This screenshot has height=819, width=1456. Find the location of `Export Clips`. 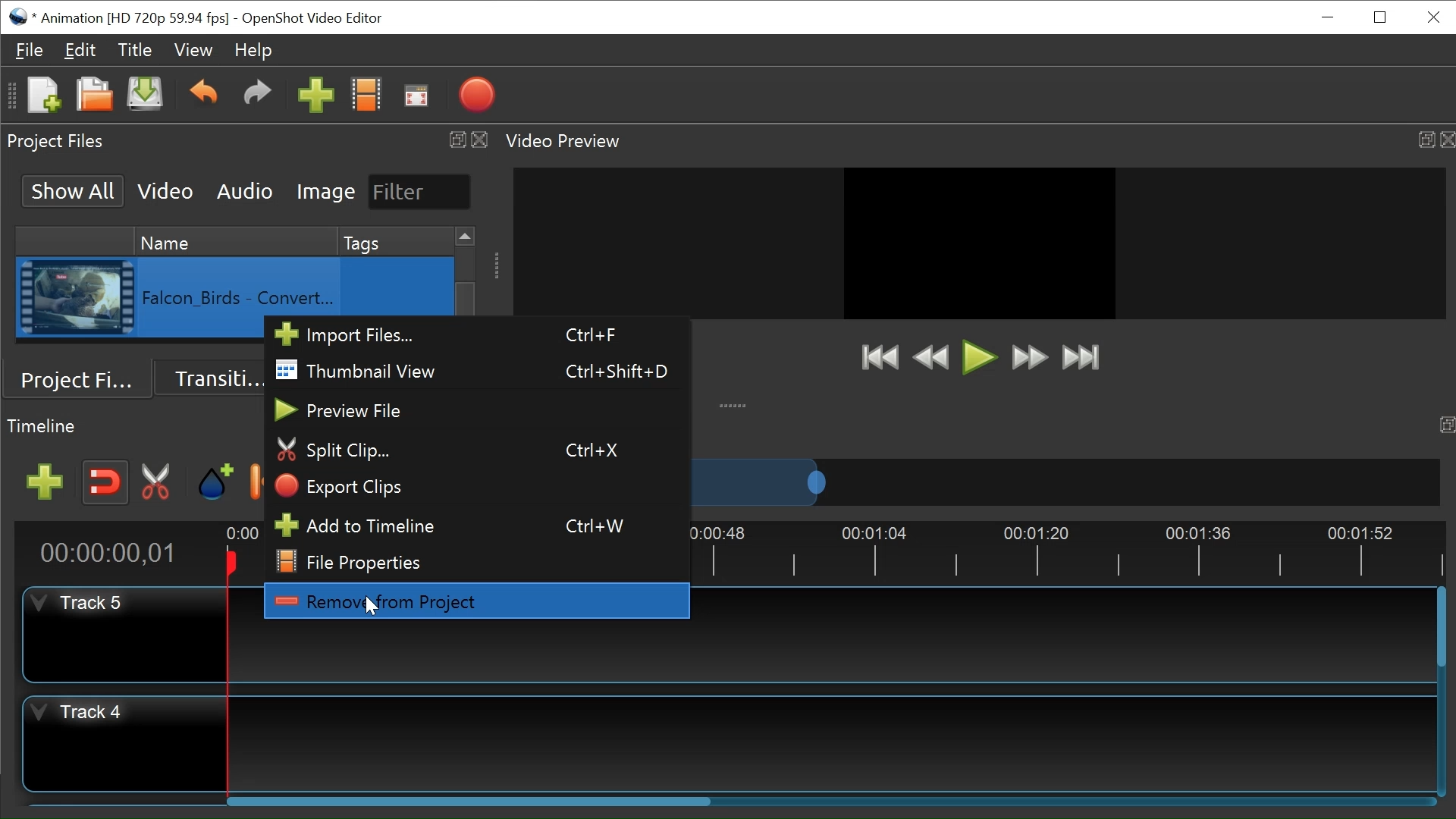

Export Clips is located at coordinates (475, 486).